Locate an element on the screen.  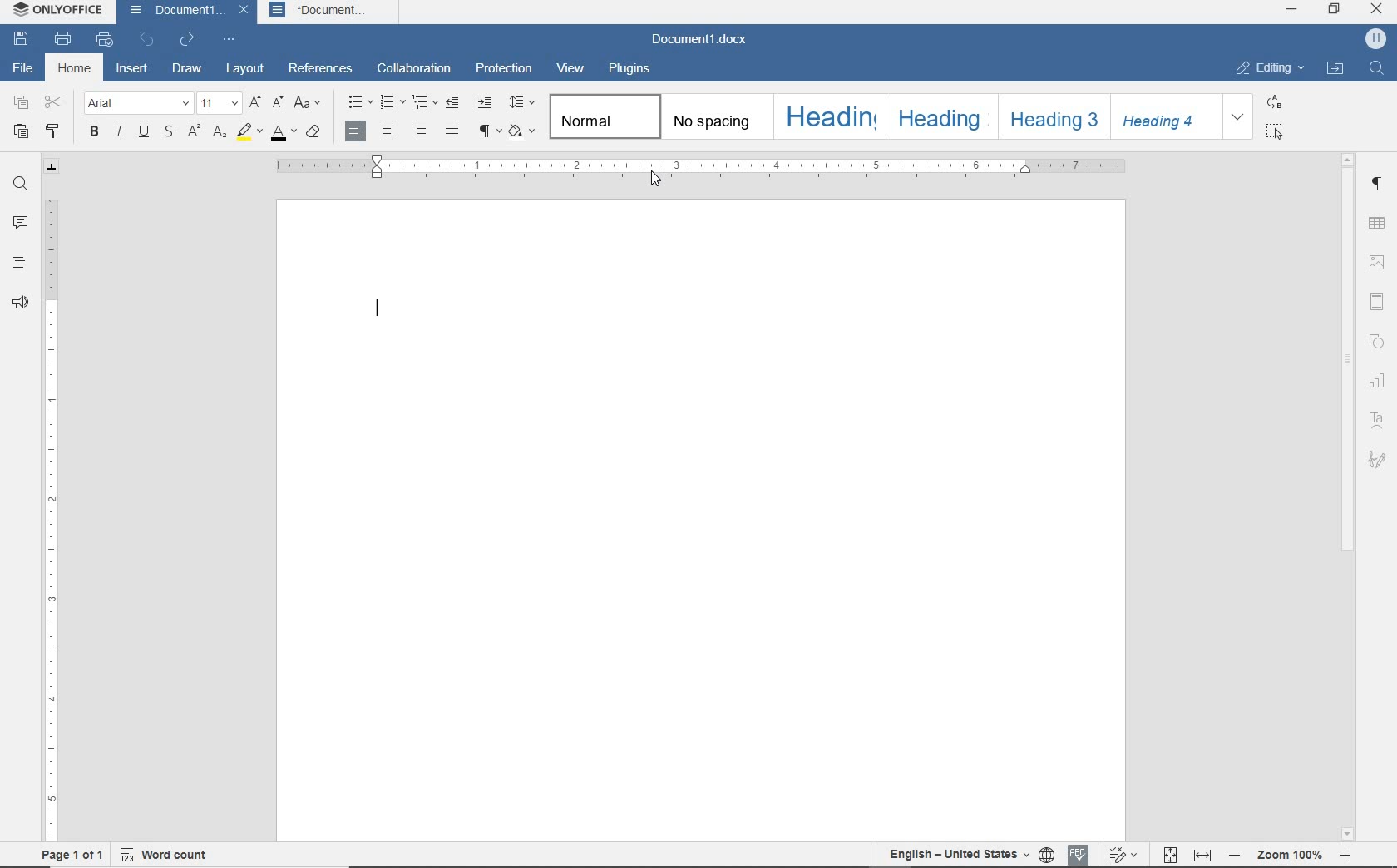
FIT TO WIDTH is located at coordinates (1203, 855).